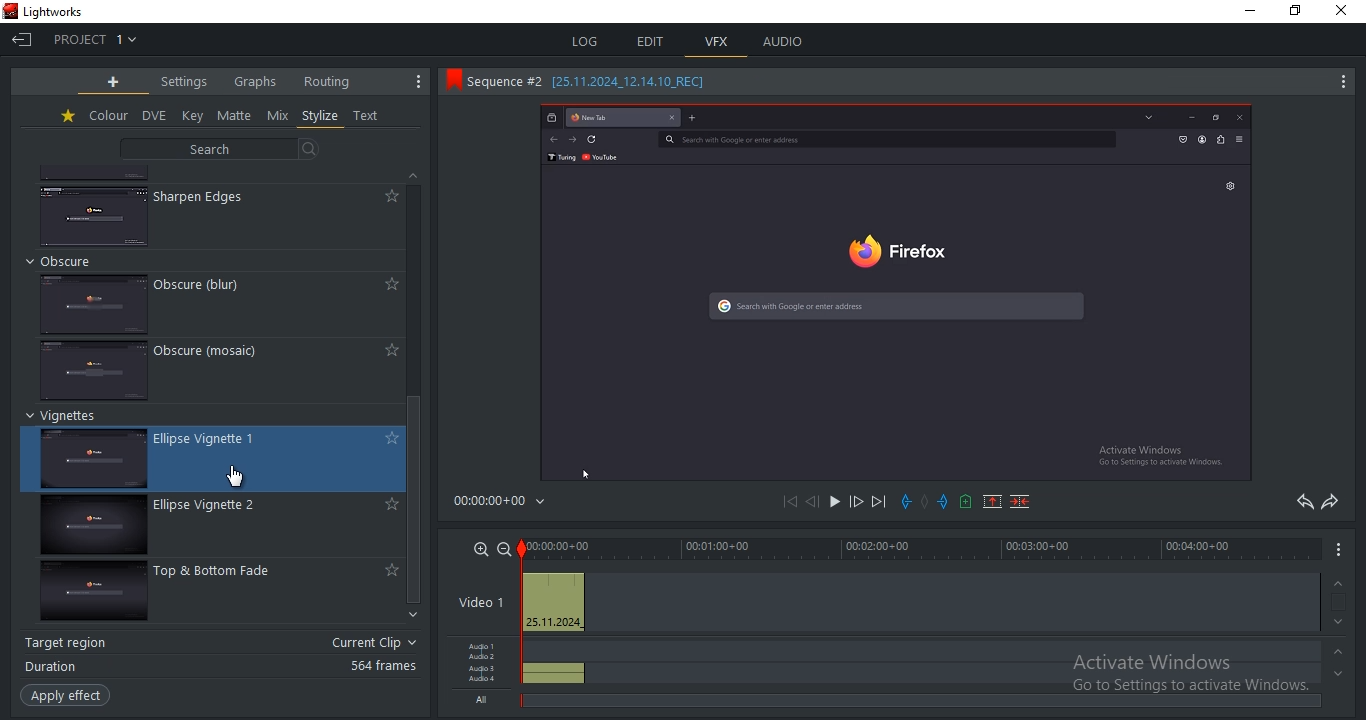  What do you see at coordinates (1299, 503) in the screenshot?
I see `undo` at bounding box center [1299, 503].